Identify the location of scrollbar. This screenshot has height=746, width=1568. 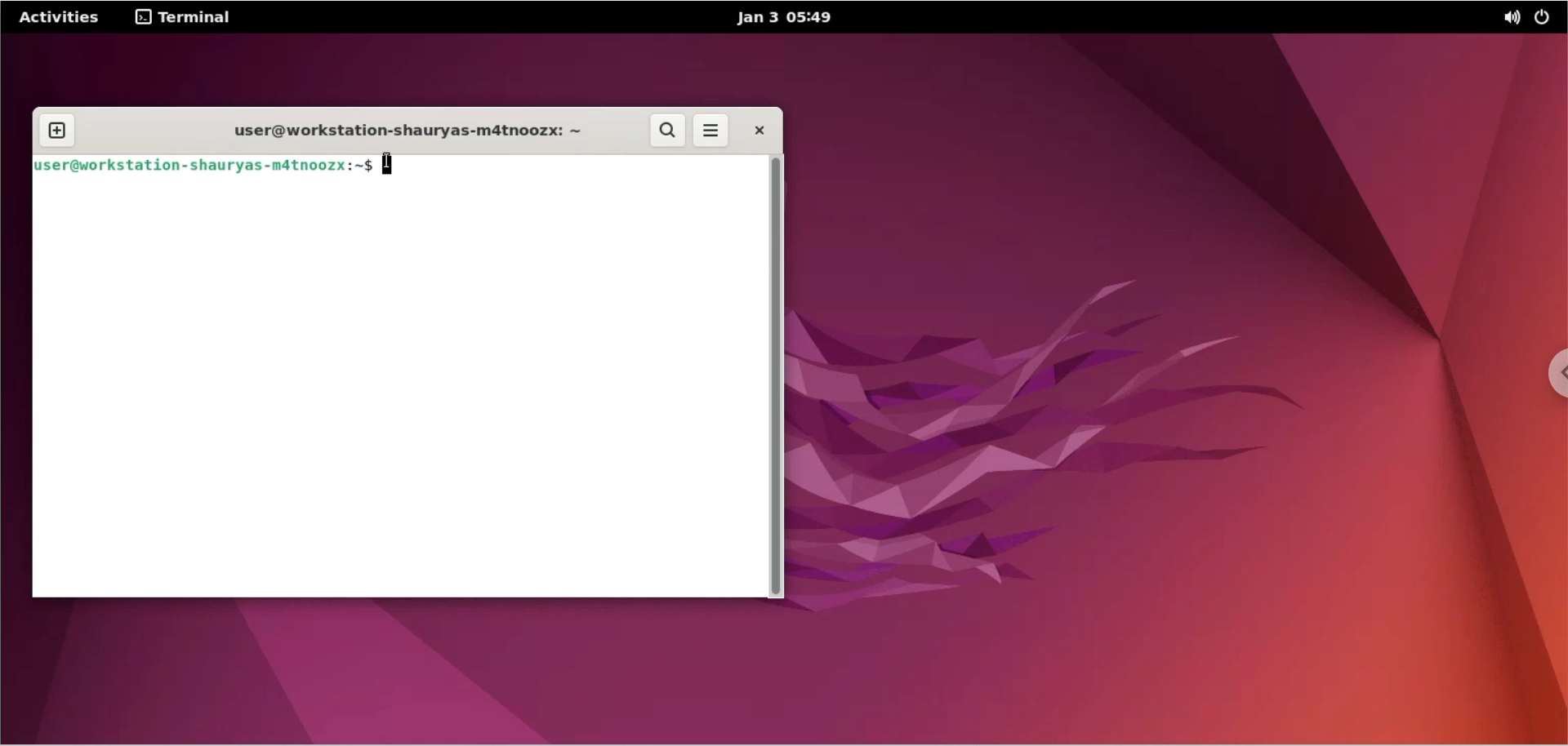
(777, 375).